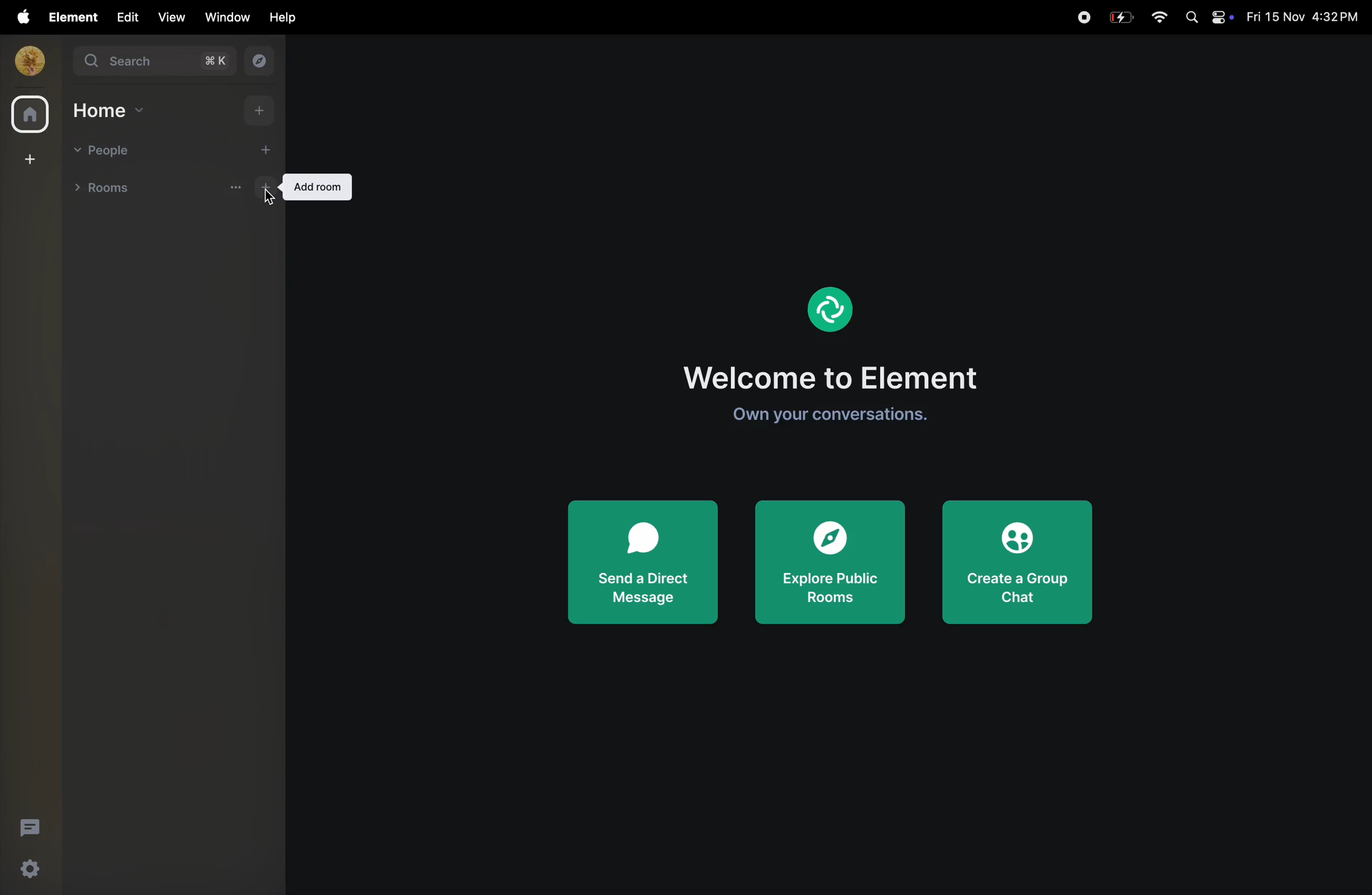  I want to click on create a group chat, so click(1021, 558).